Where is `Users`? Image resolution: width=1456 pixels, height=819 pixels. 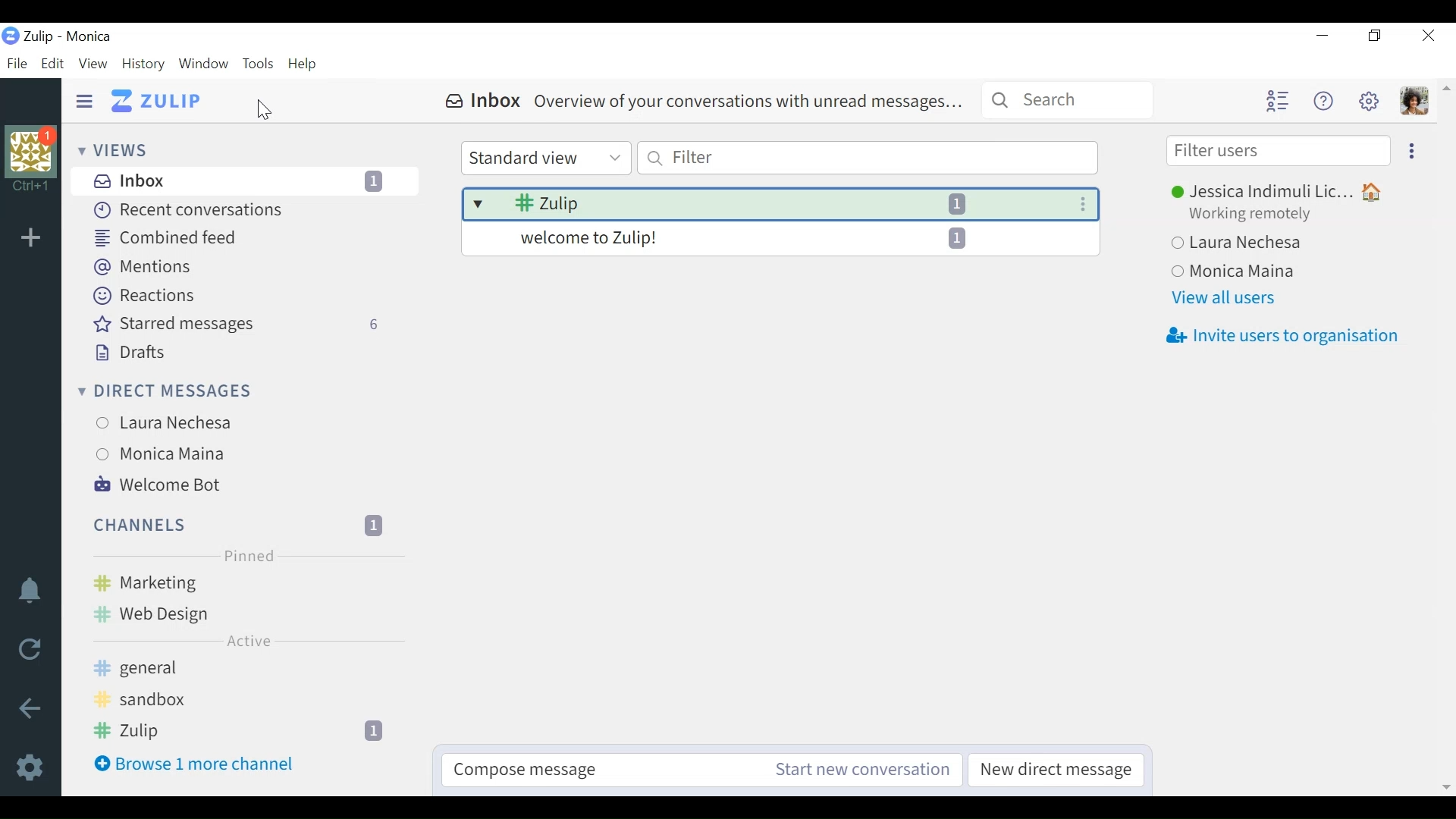 Users is located at coordinates (1278, 241).